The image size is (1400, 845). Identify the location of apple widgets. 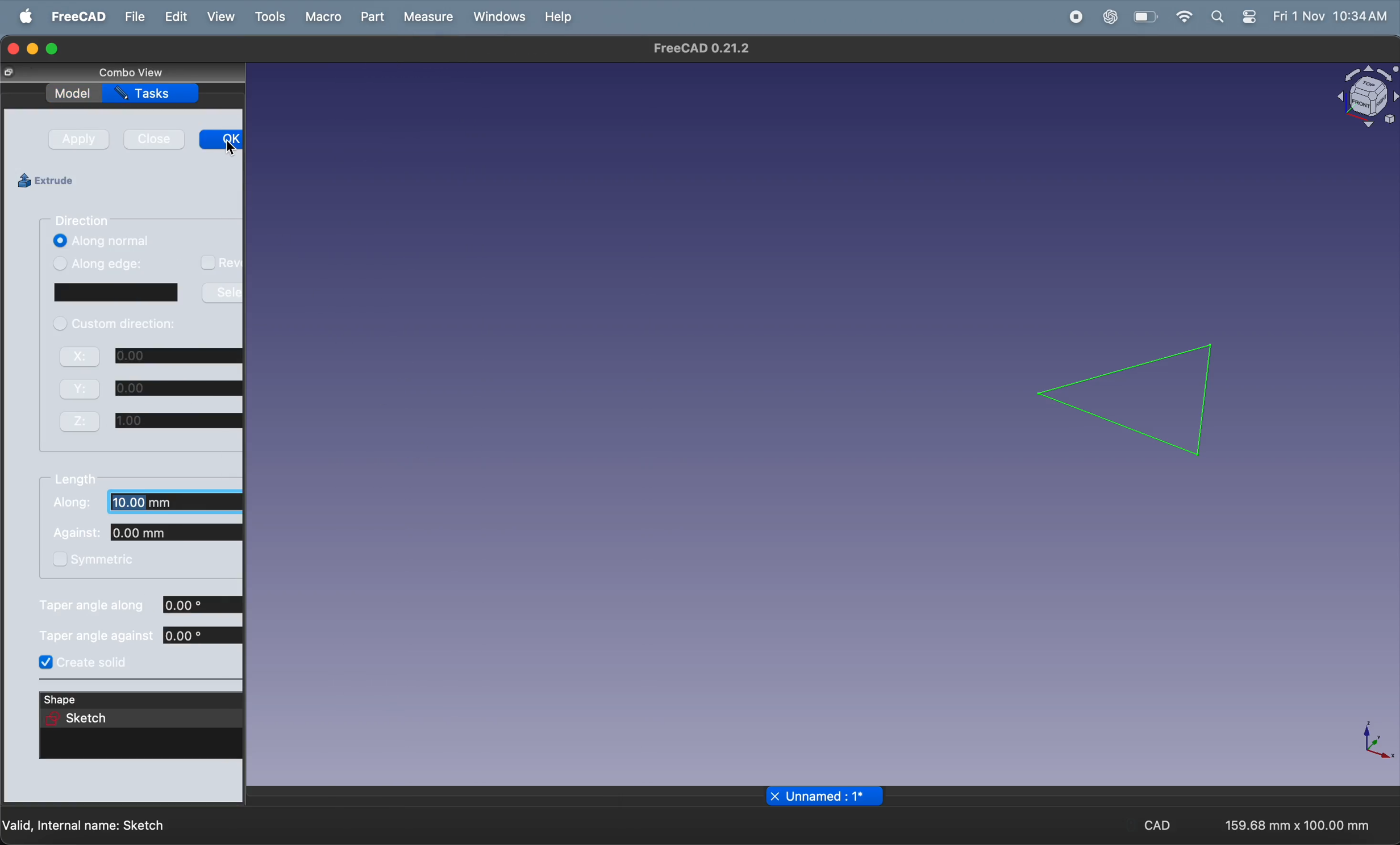
(1234, 17).